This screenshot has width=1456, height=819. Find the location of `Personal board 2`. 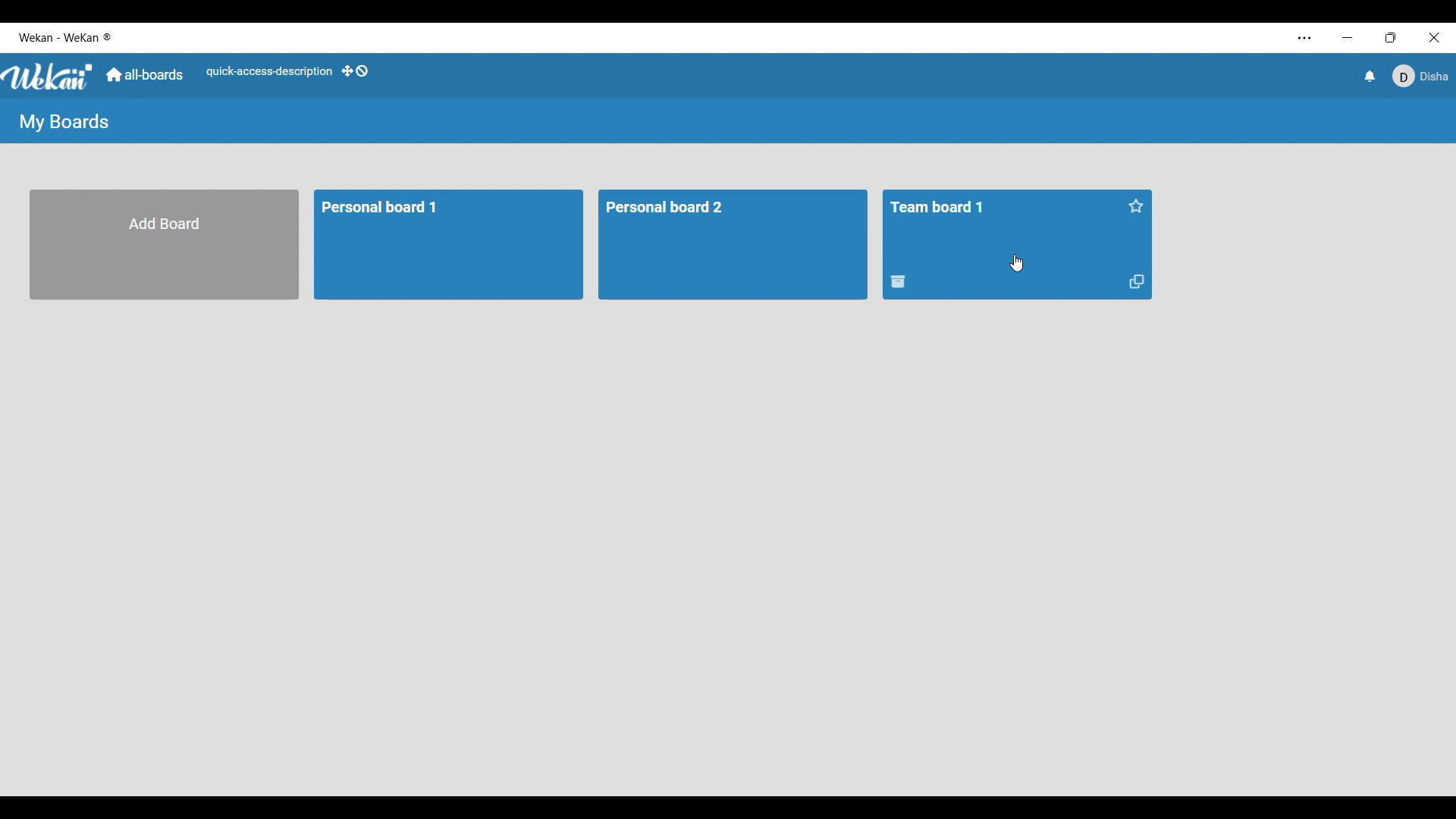

Personal board 2 is located at coordinates (686, 208).